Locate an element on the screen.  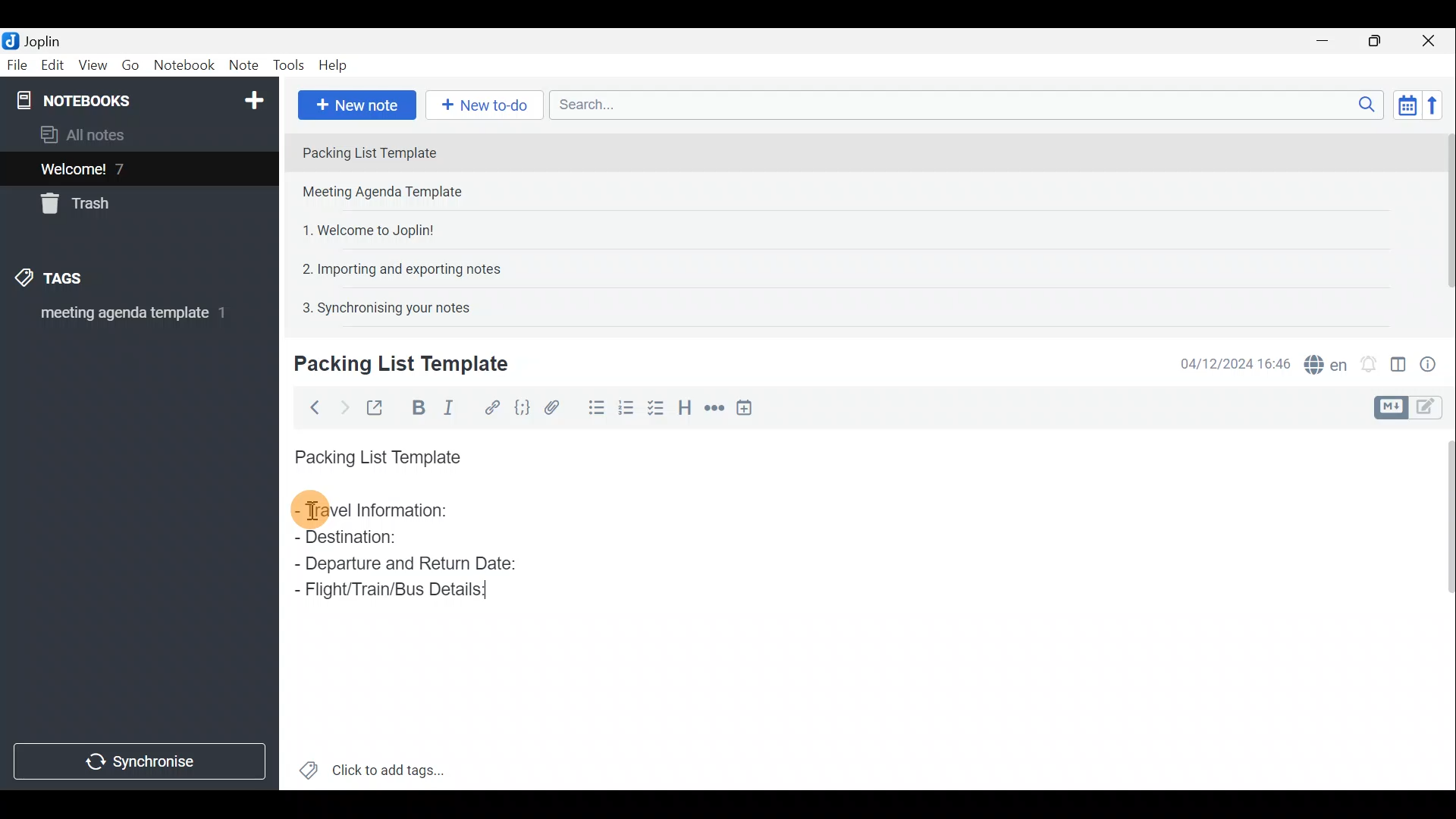
Scroll bar is located at coordinates (1442, 221).